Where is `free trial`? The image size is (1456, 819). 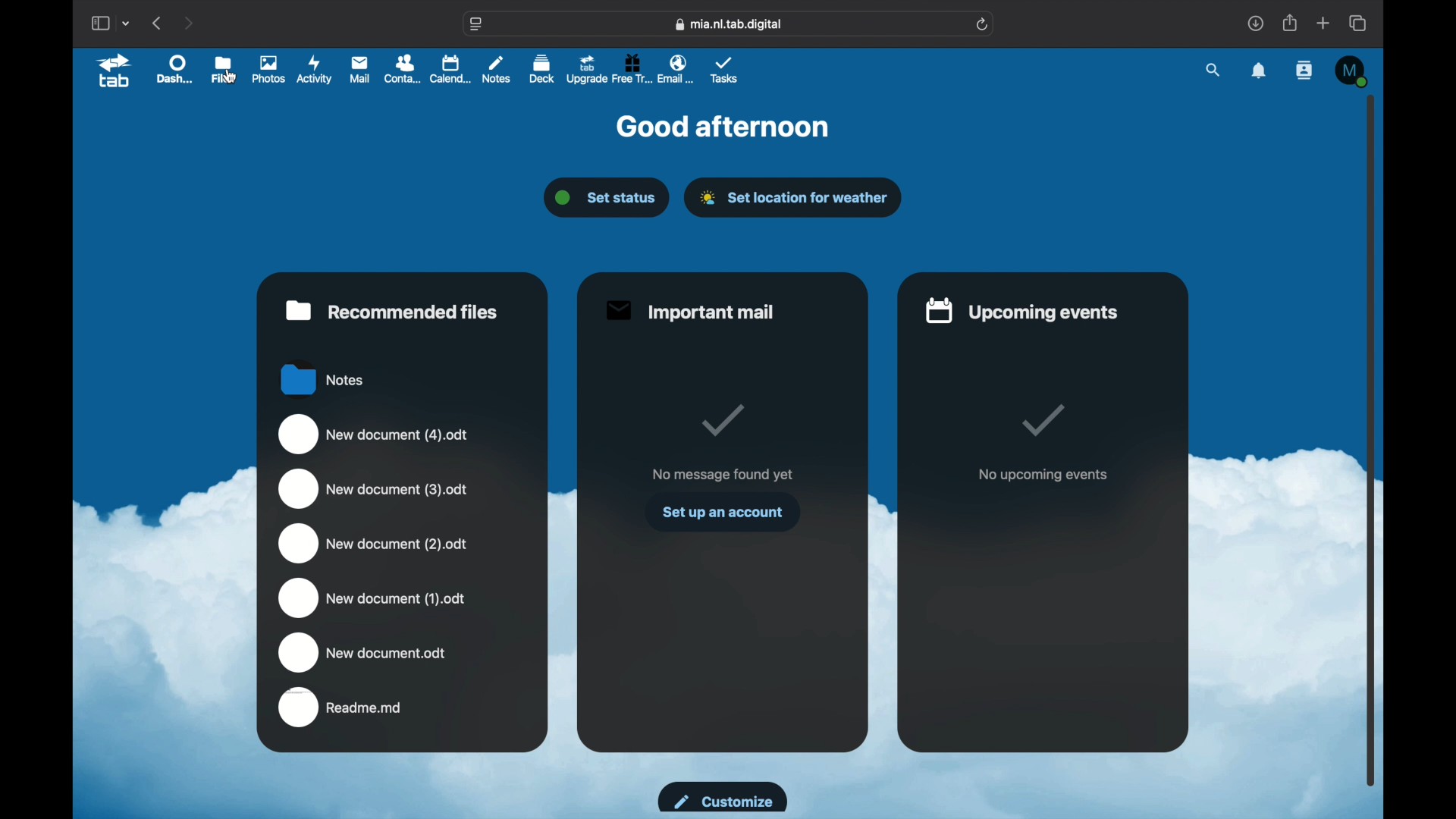
free trial is located at coordinates (632, 68).